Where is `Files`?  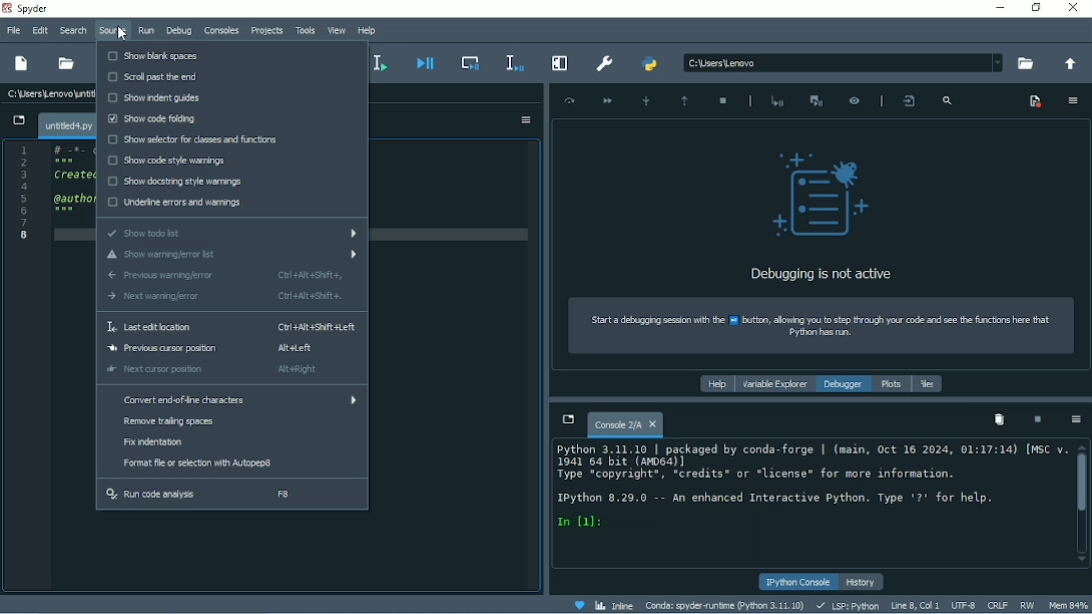
Files is located at coordinates (929, 384).